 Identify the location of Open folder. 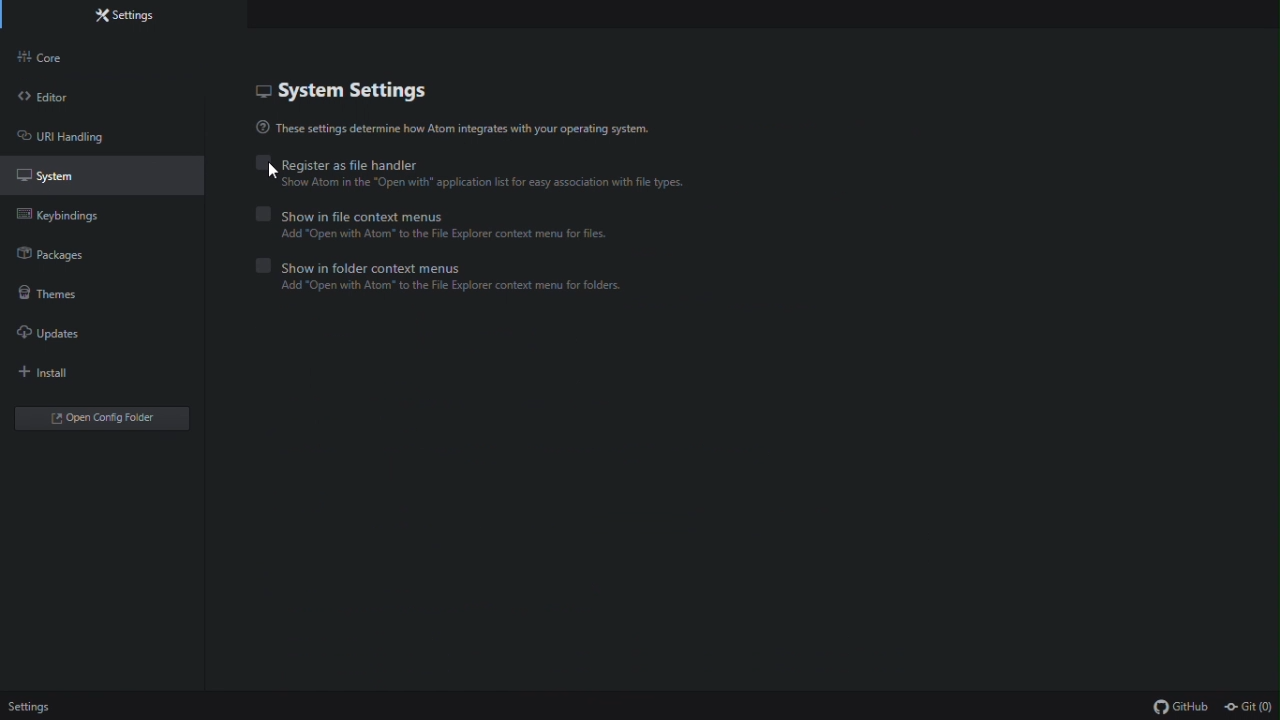
(105, 419).